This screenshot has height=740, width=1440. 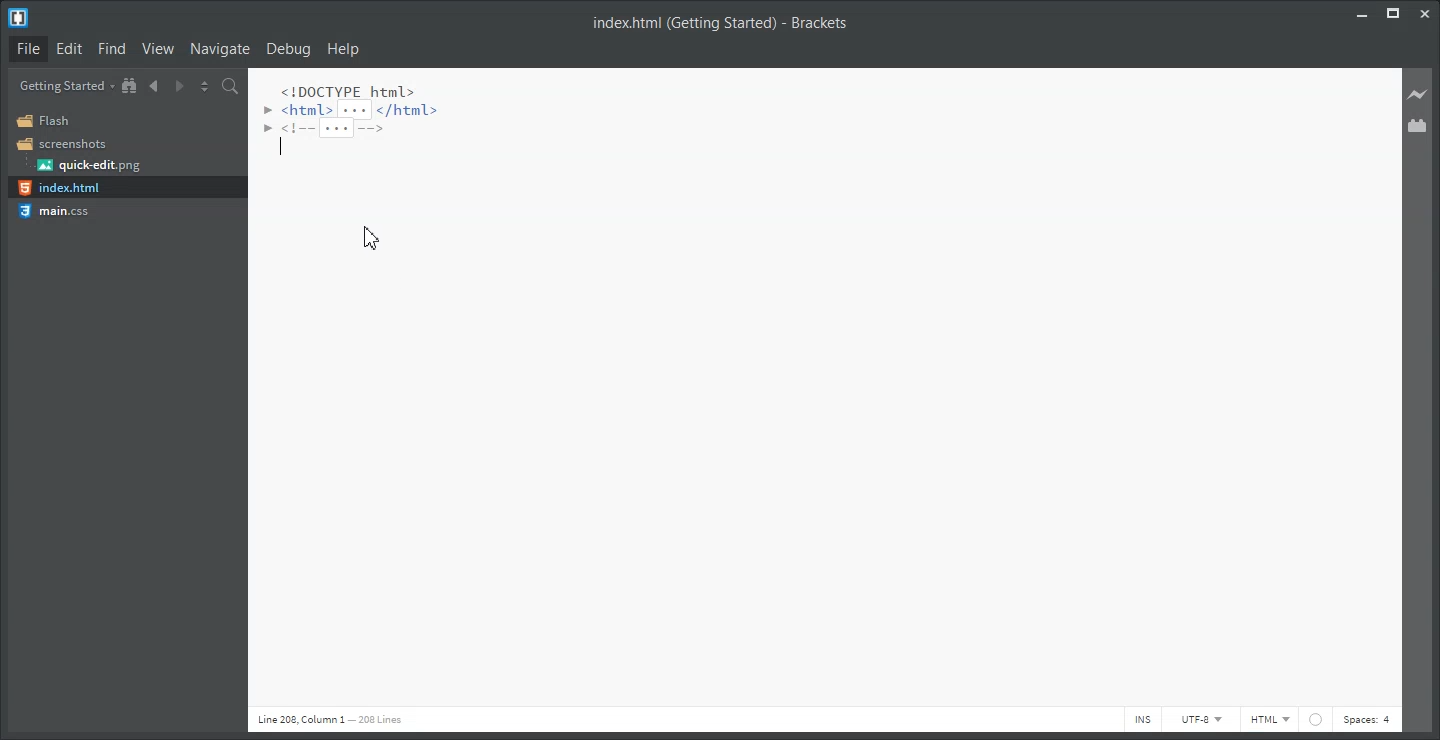 What do you see at coordinates (371, 237) in the screenshot?
I see `cursor` at bounding box center [371, 237].